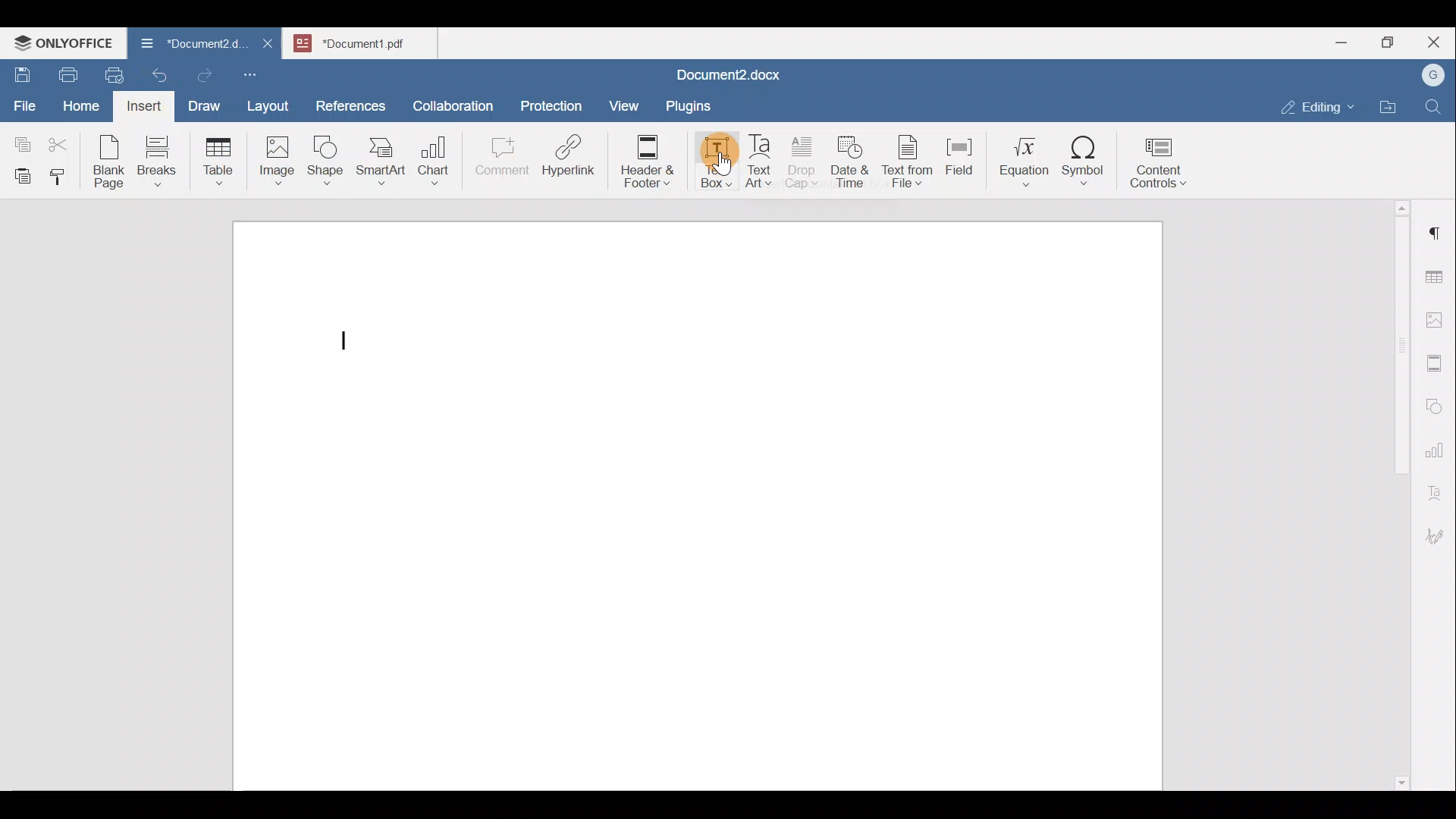 This screenshot has height=819, width=1456. What do you see at coordinates (19, 172) in the screenshot?
I see `Paste` at bounding box center [19, 172].